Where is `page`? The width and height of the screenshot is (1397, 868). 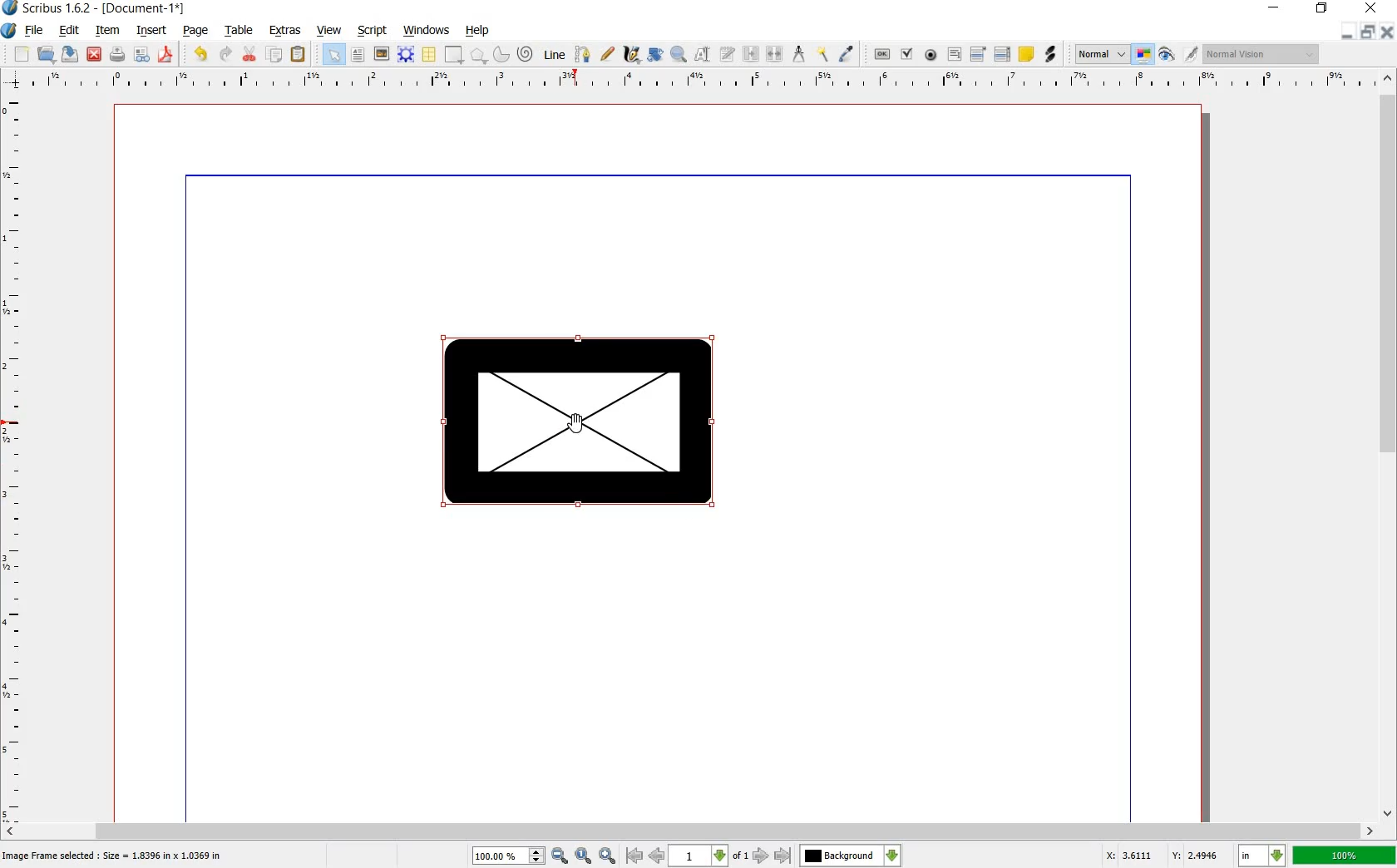 page is located at coordinates (195, 32).